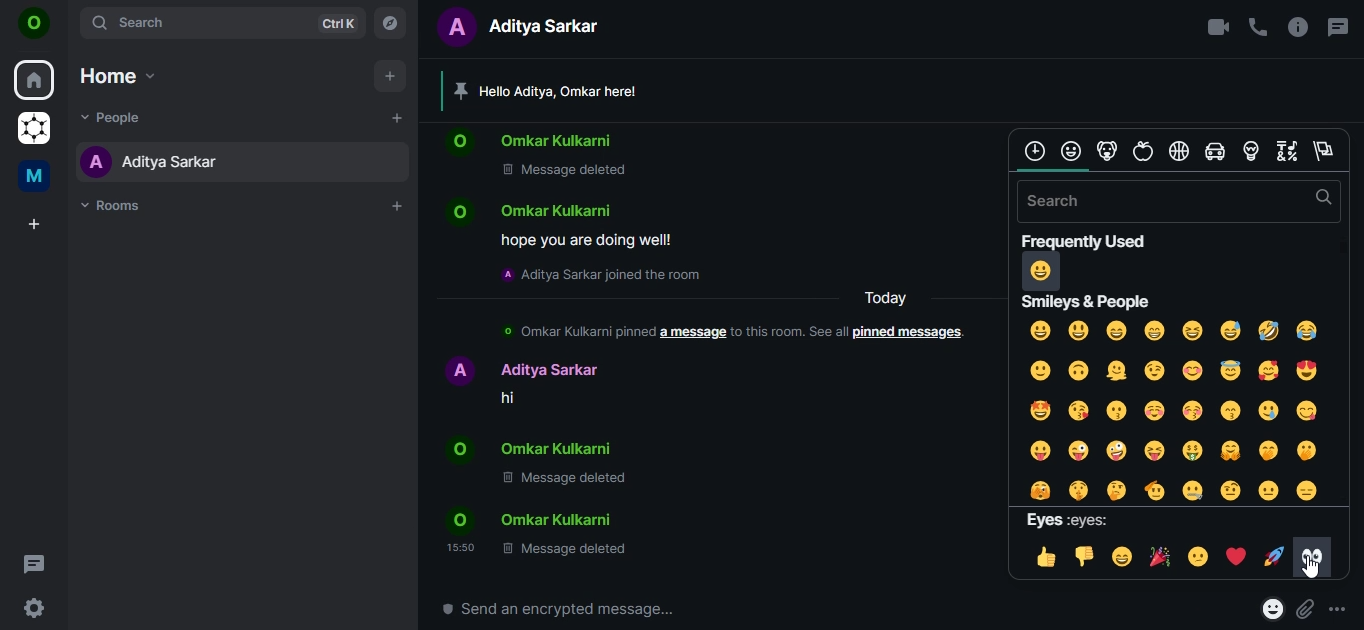  What do you see at coordinates (1273, 554) in the screenshot?
I see `` at bounding box center [1273, 554].